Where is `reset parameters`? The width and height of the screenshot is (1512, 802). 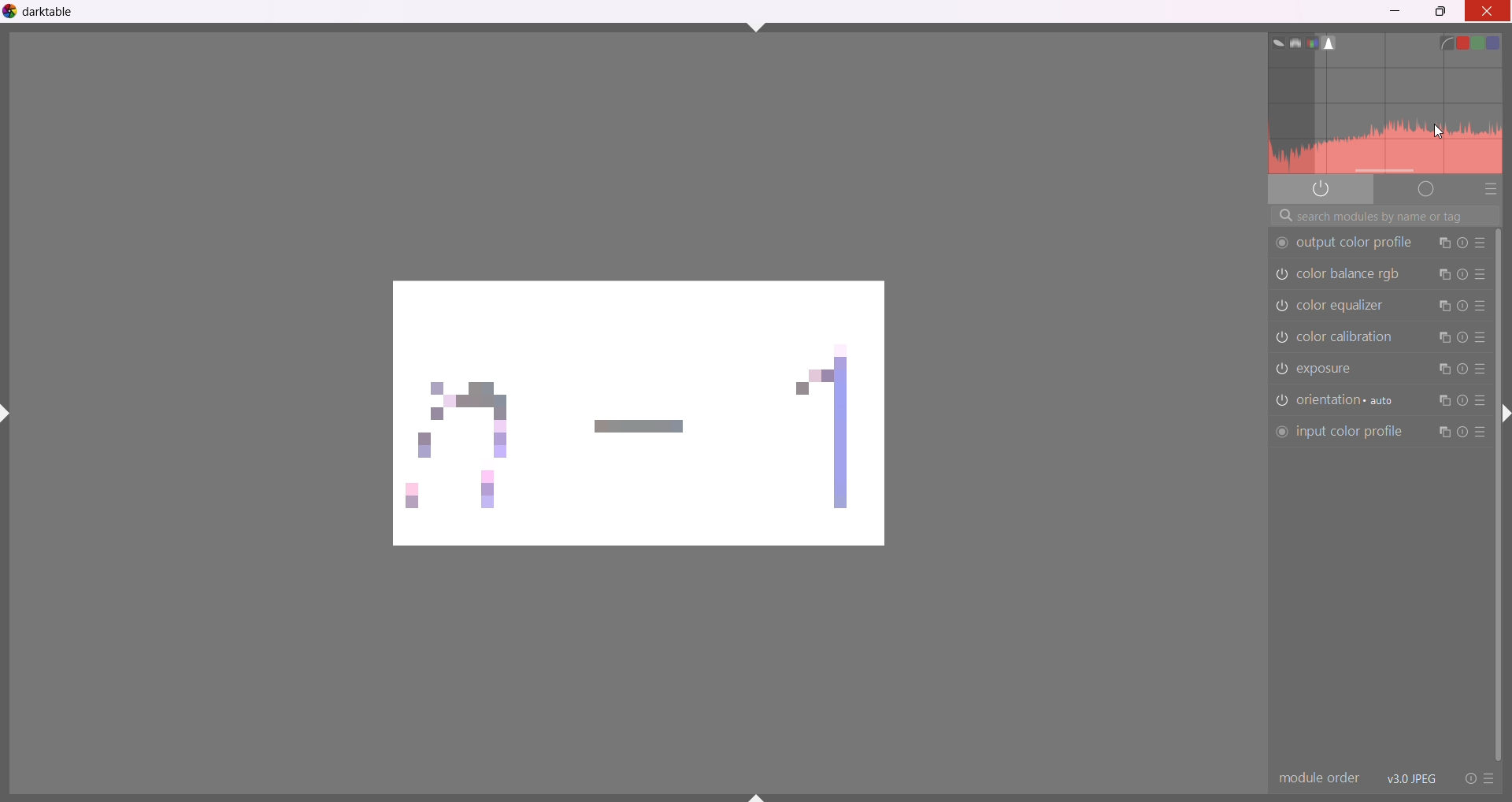
reset parameters is located at coordinates (1462, 304).